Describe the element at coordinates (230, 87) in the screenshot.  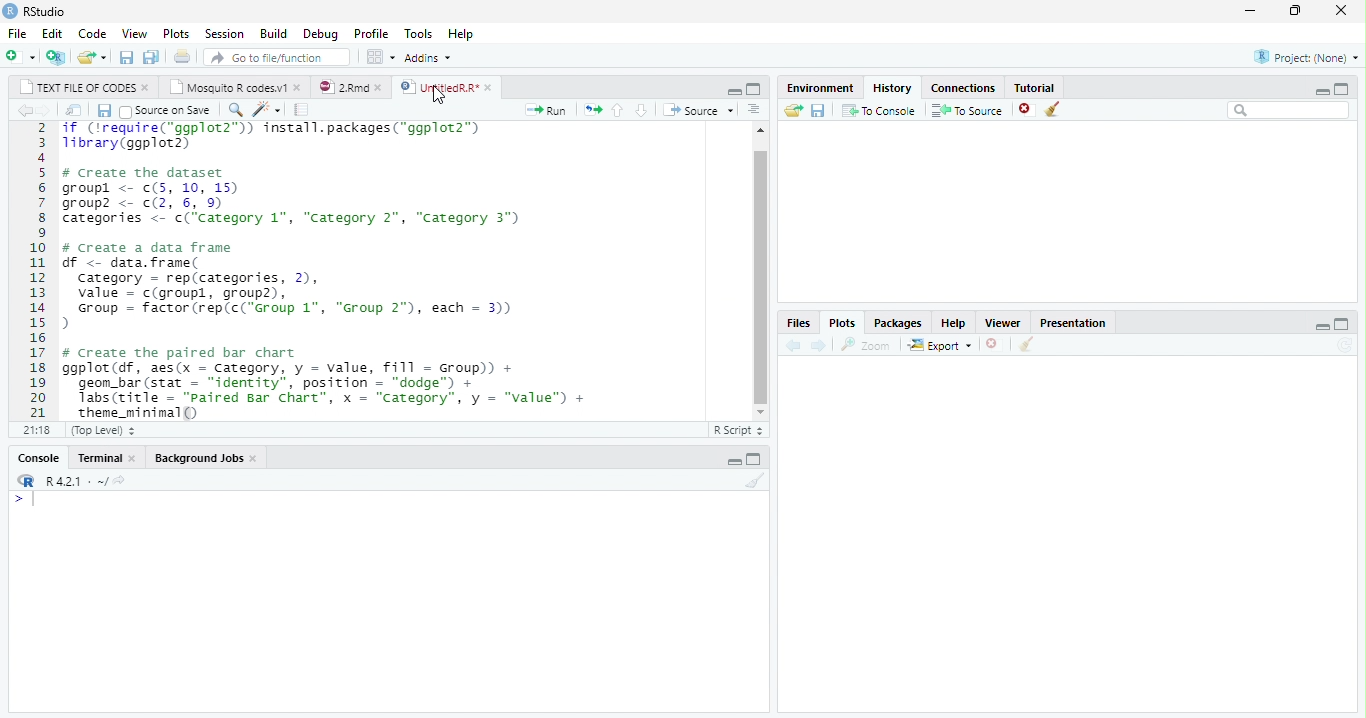
I see `mosquito R codes.v1` at that location.